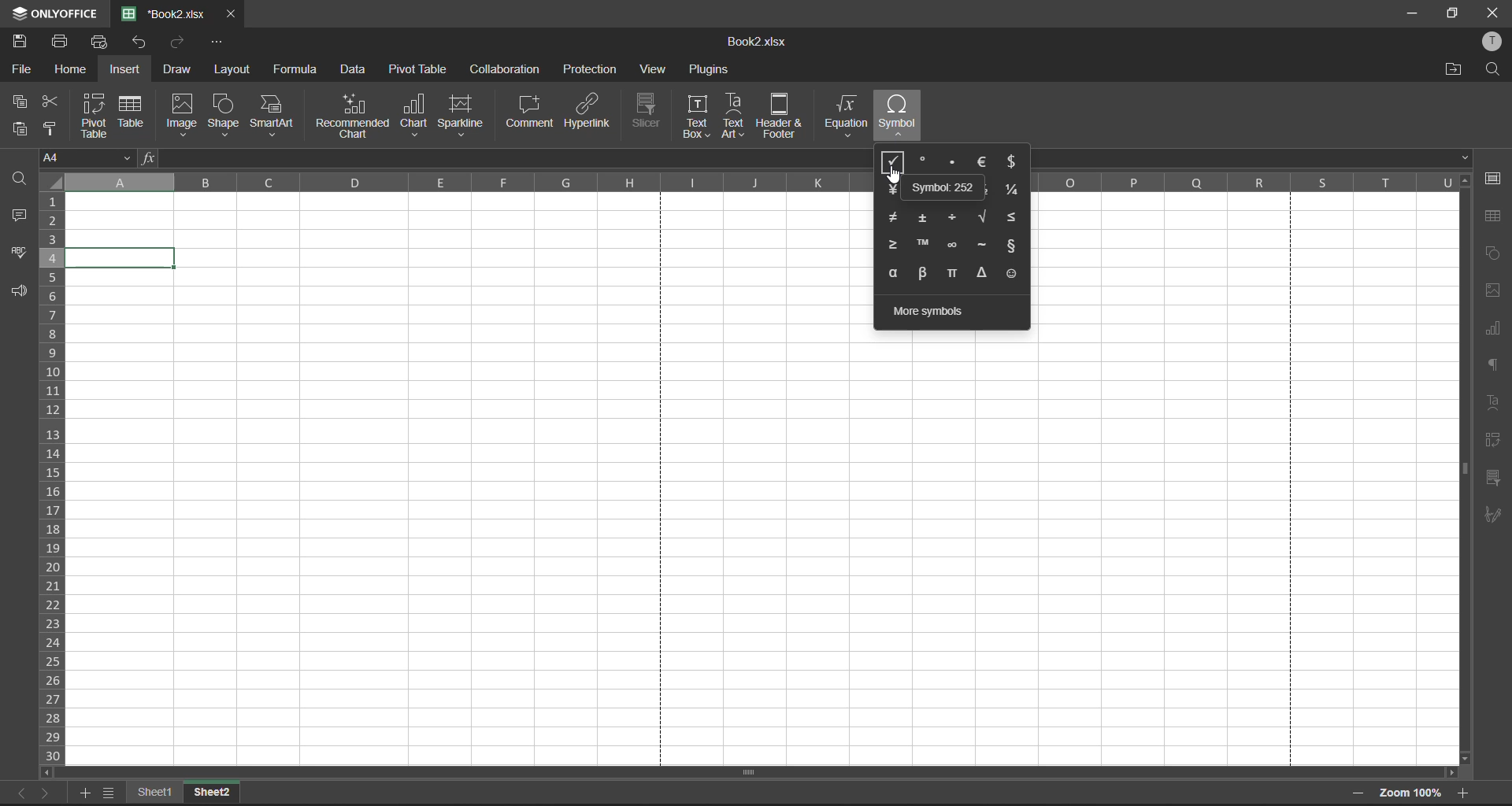  Describe the element at coordinates (178, 72) in the screenshot. I see `draw` at that location.